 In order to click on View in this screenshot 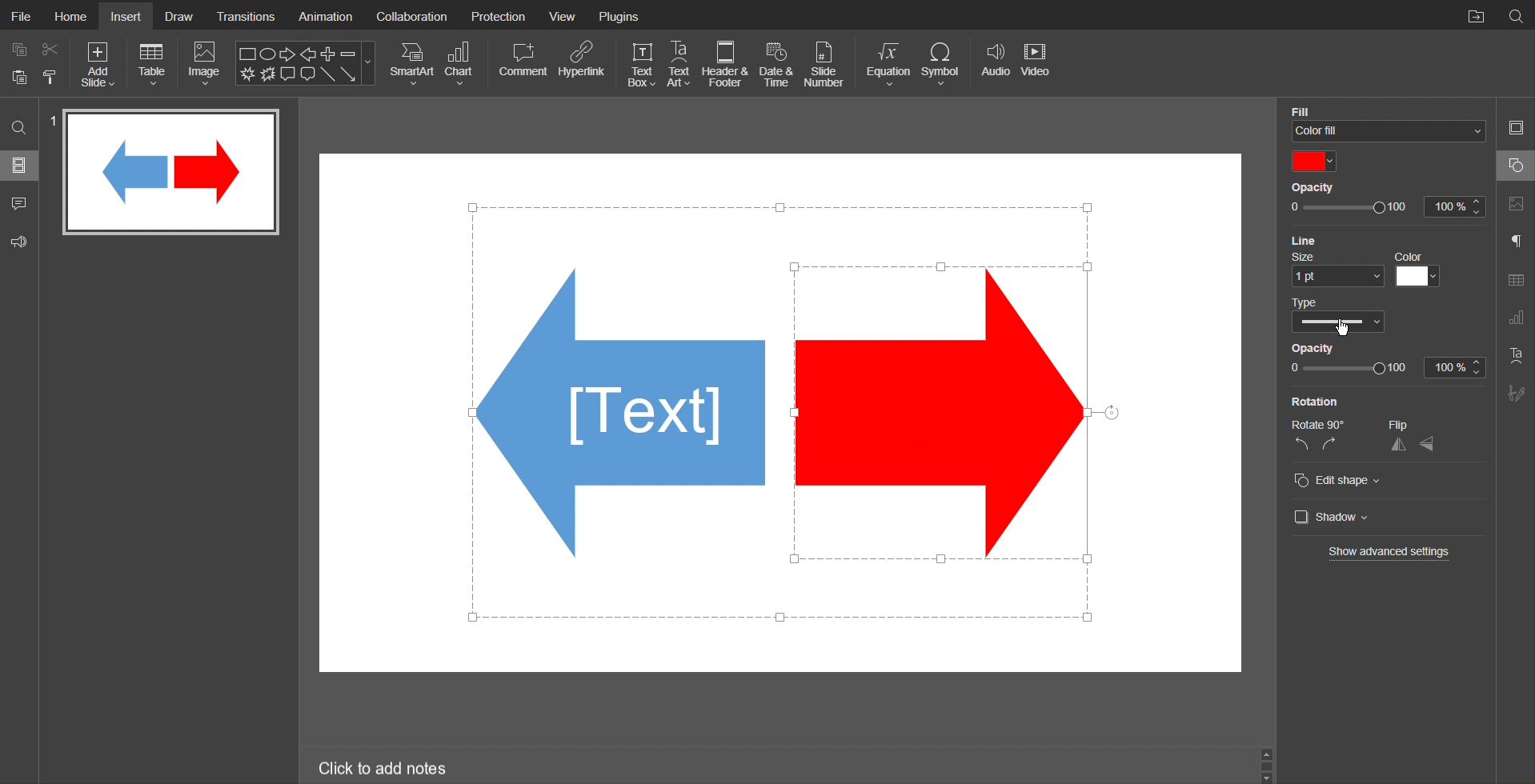, I will do `click(566, 14)`.